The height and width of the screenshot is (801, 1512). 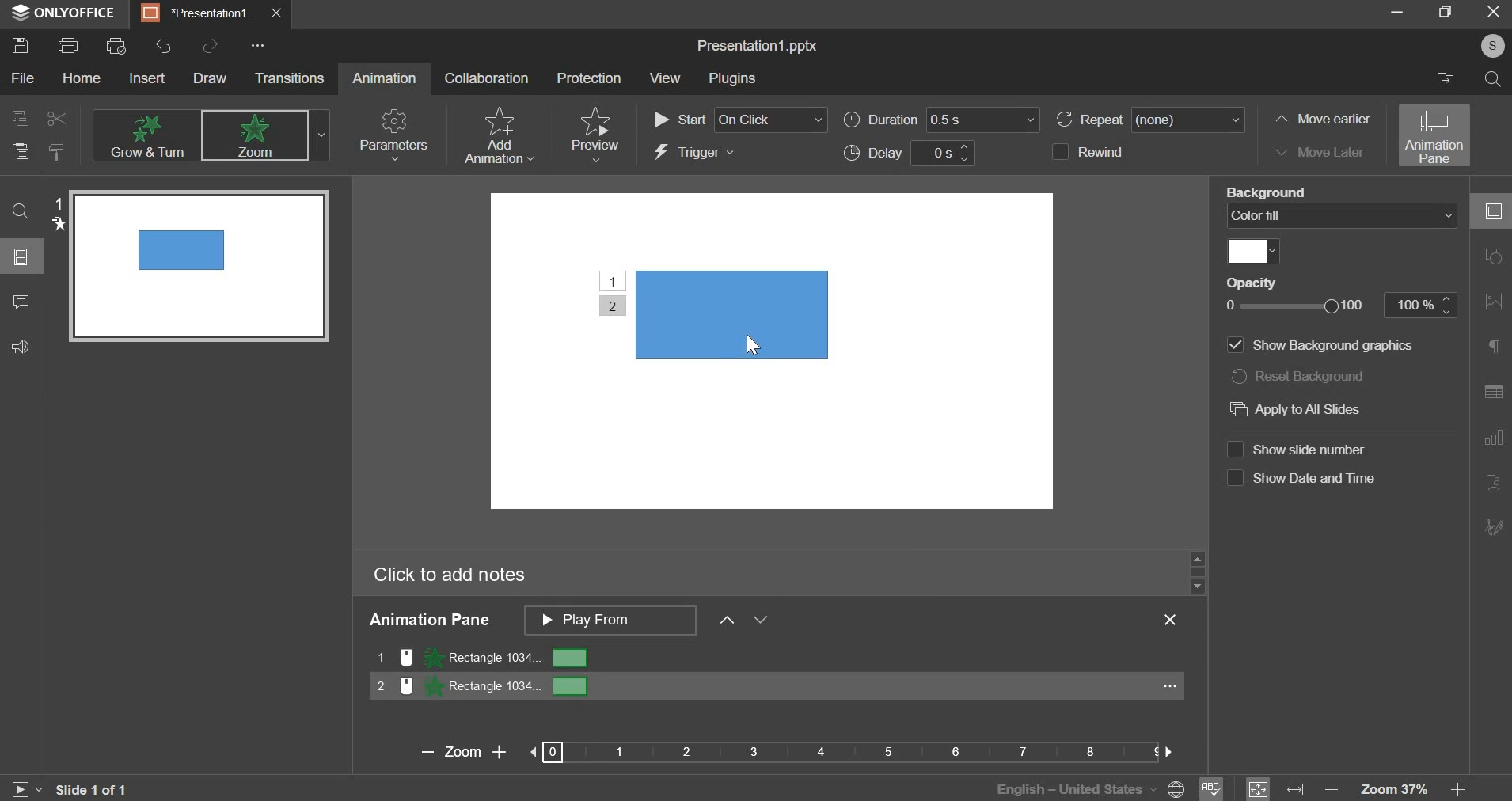 What do you see at coordinates (21, 152) in the screenshot?
I see `paste` at bounding box center [21, 152].